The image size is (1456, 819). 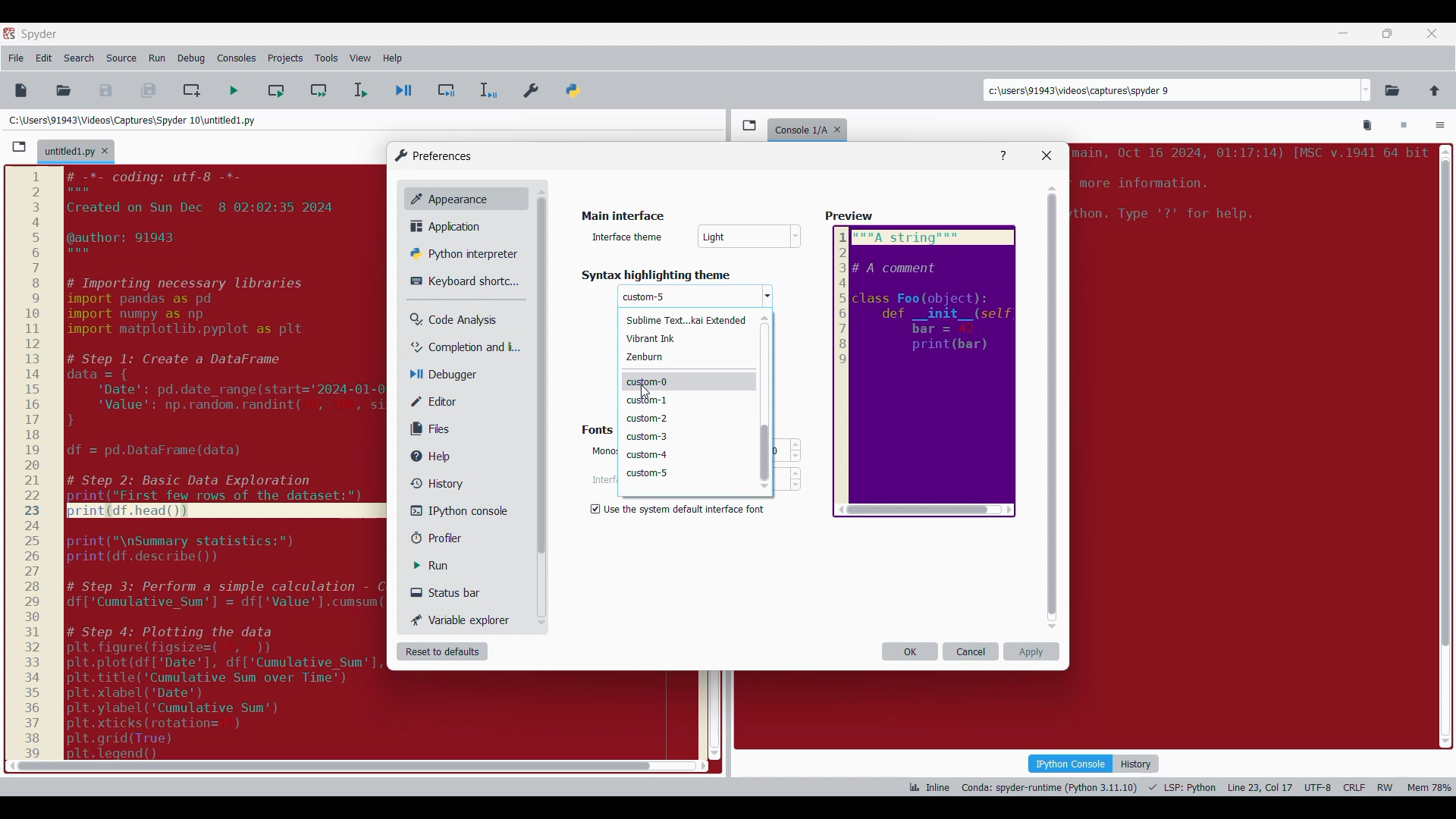 What do you see at coordinates (16, 58) in the screenshot?
I see `File menu ` at bounding box center [16, 58].